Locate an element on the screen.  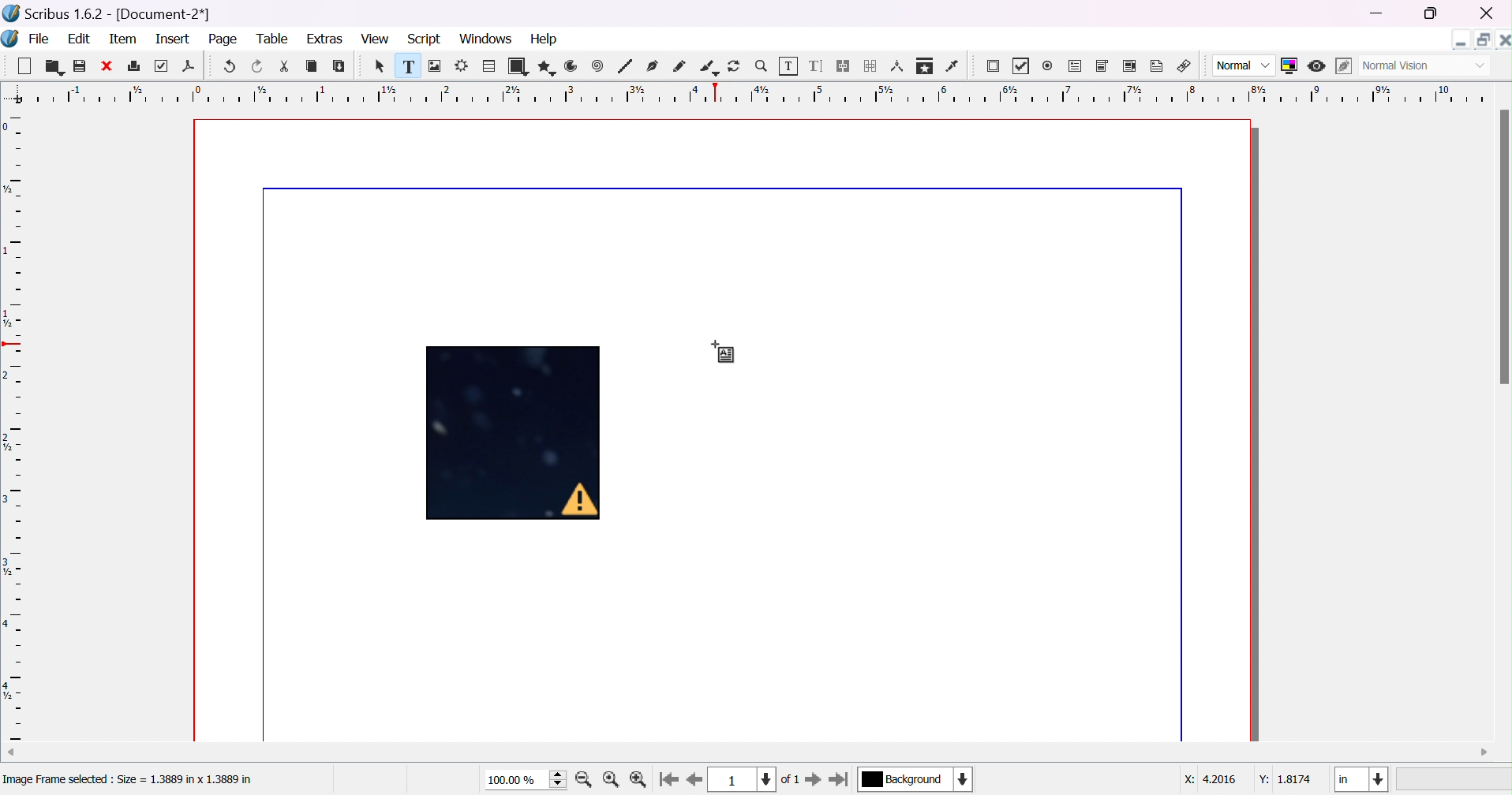
zoom to 100% is located at coordinates (612, 780).